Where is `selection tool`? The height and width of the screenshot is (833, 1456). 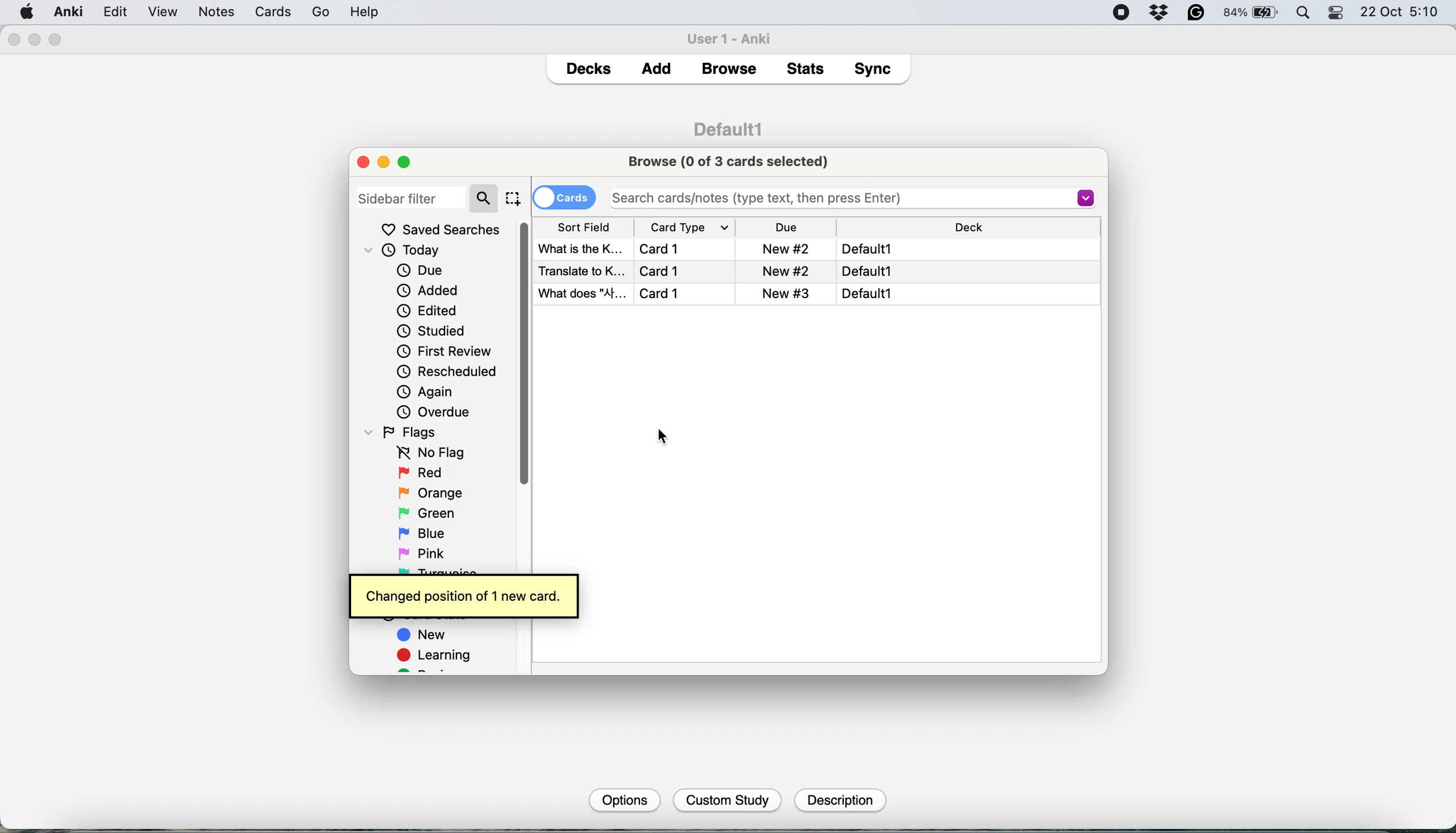
selection tool is located at coordinates (512, 198).